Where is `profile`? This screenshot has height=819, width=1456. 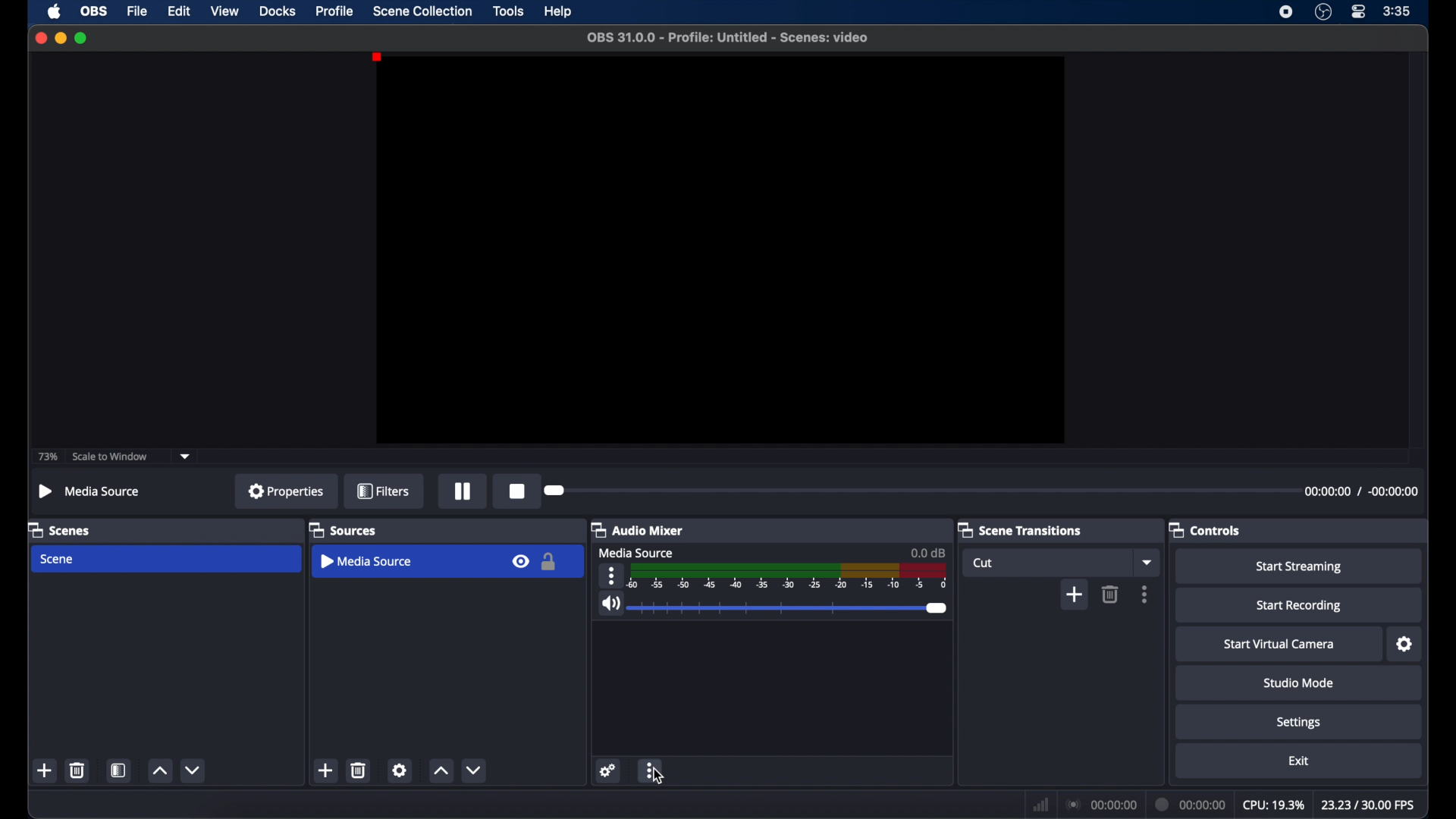
profile is located at coordinates (336, 11).